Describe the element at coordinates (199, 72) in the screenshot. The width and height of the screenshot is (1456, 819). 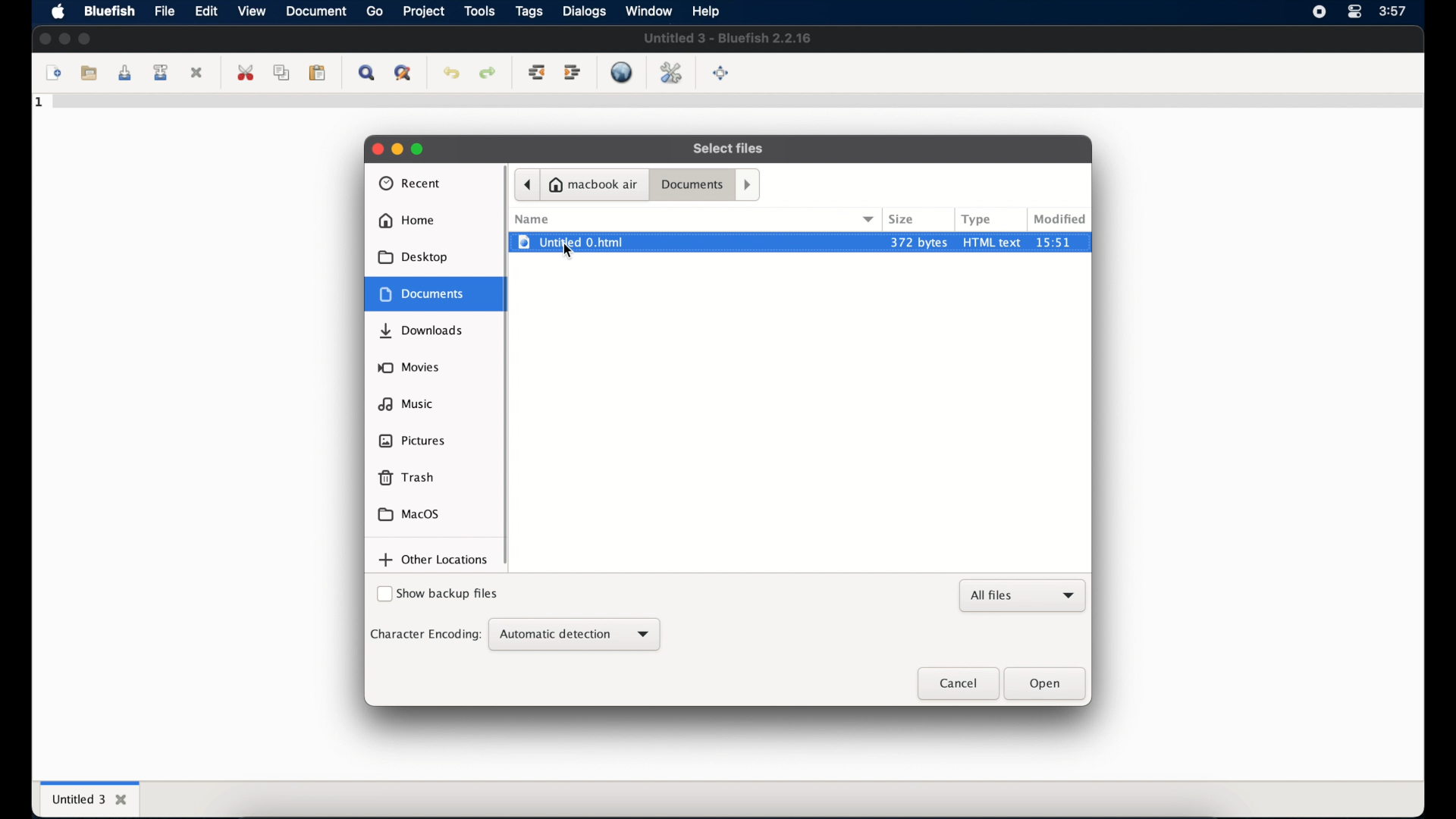
I see `close` at that location.